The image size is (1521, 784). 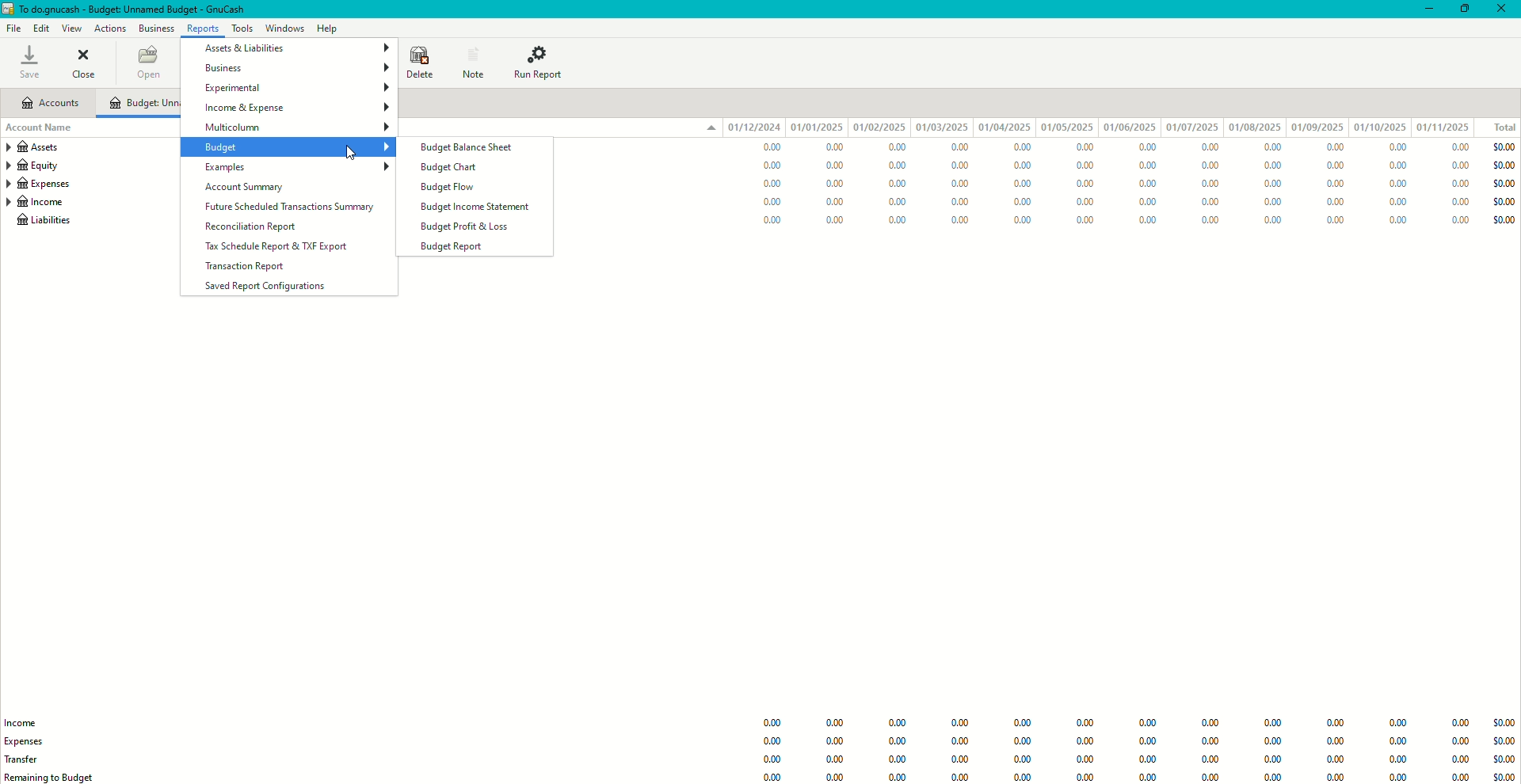 I want to click on Minimize, so click(x=1424, y=9).